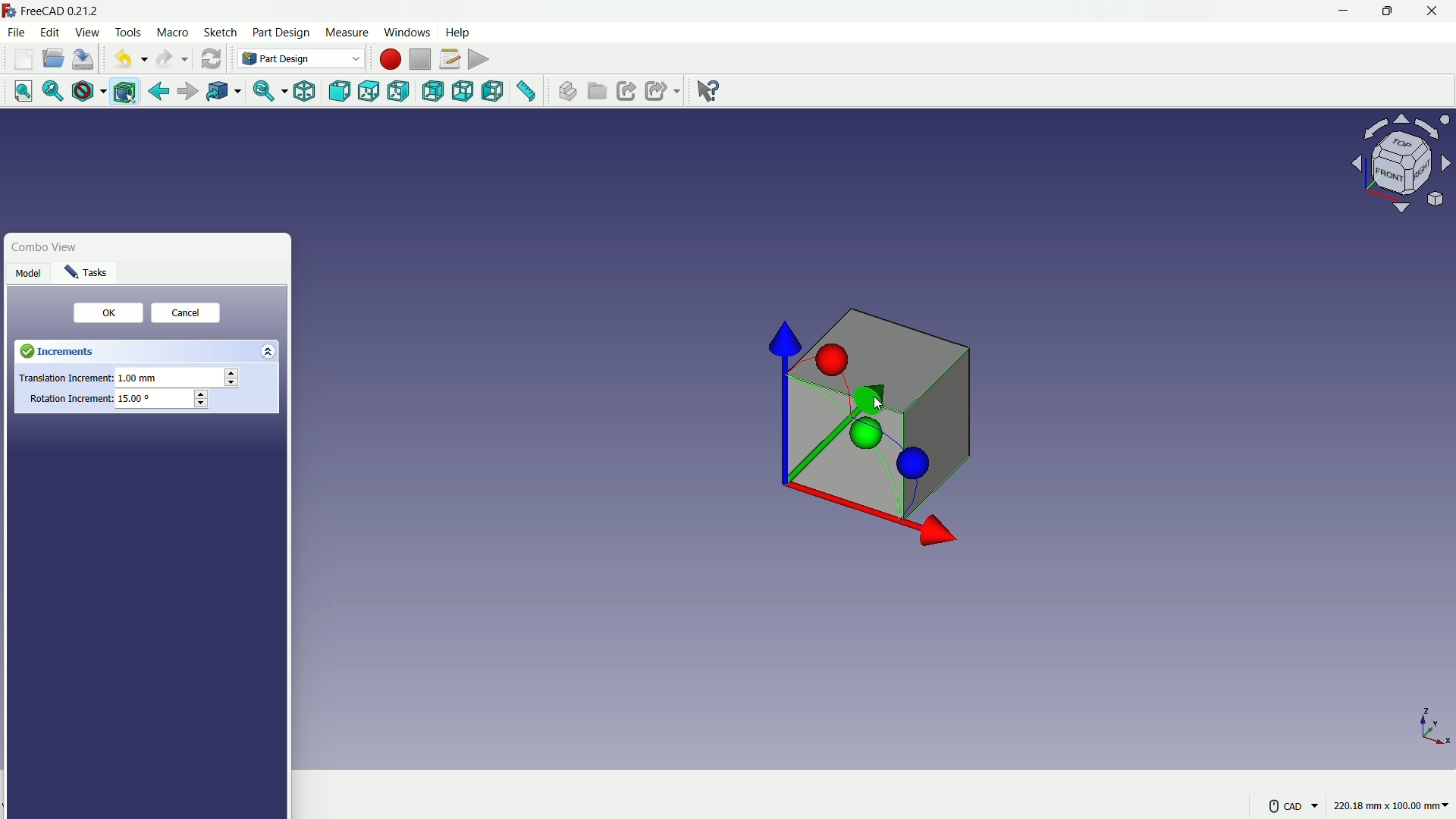 Image resolution: width=1456 pixels, height=819 pixels. I want to click on CAD, so click(1291, 805).